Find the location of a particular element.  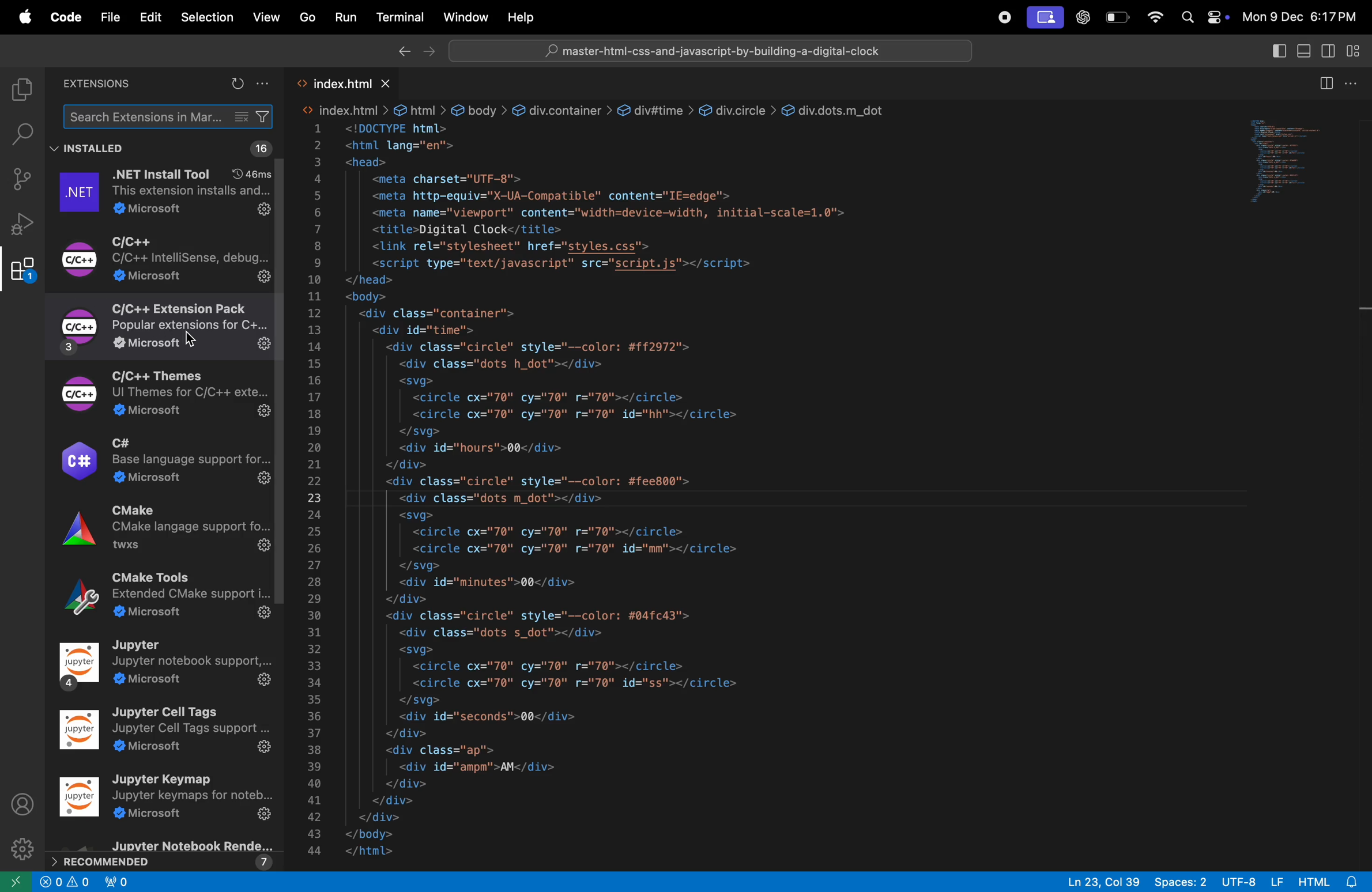

index.html is located at coordinates (355, 82).